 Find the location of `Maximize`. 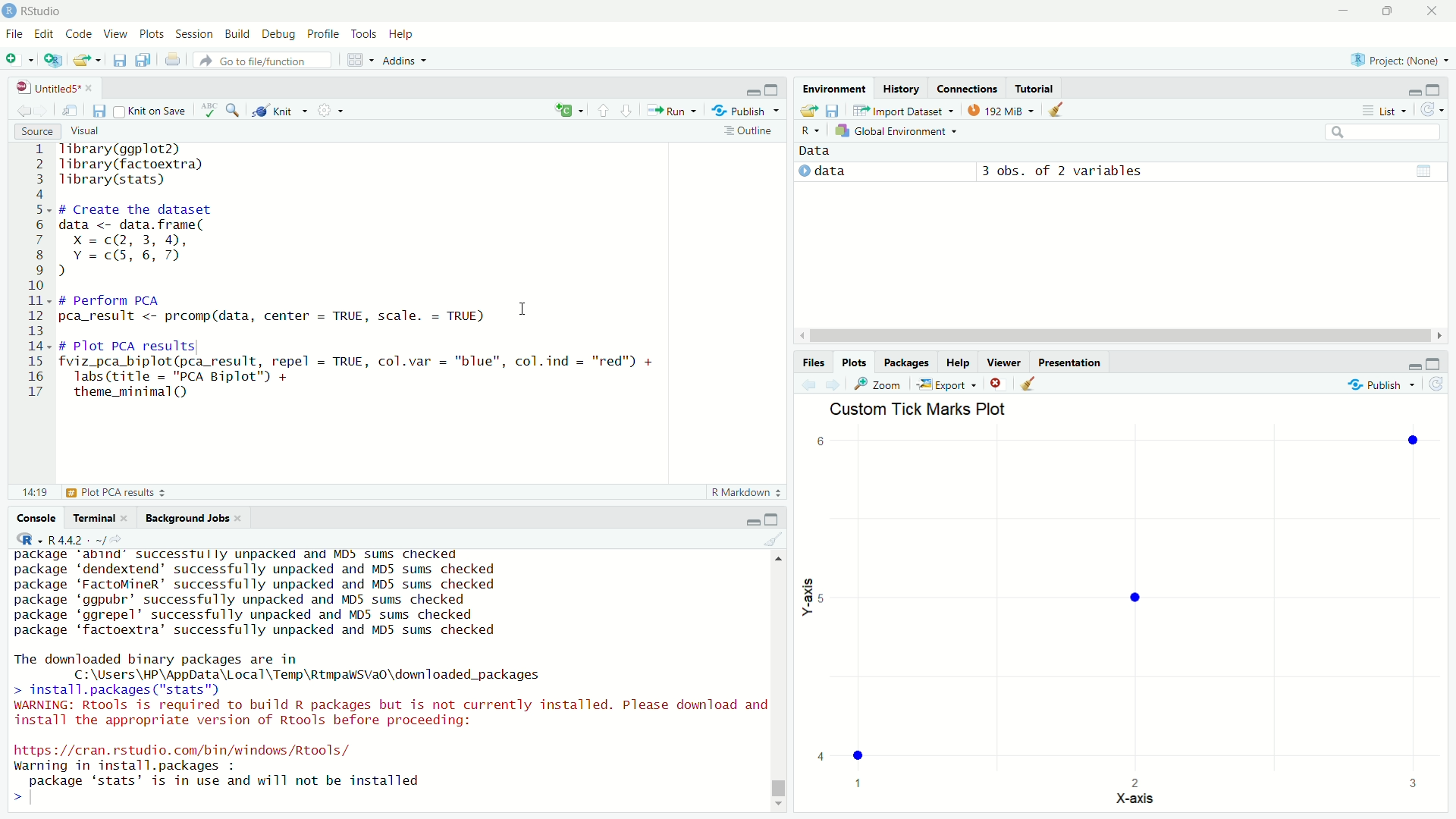

Maximize is located at coordinates (1385, 11).